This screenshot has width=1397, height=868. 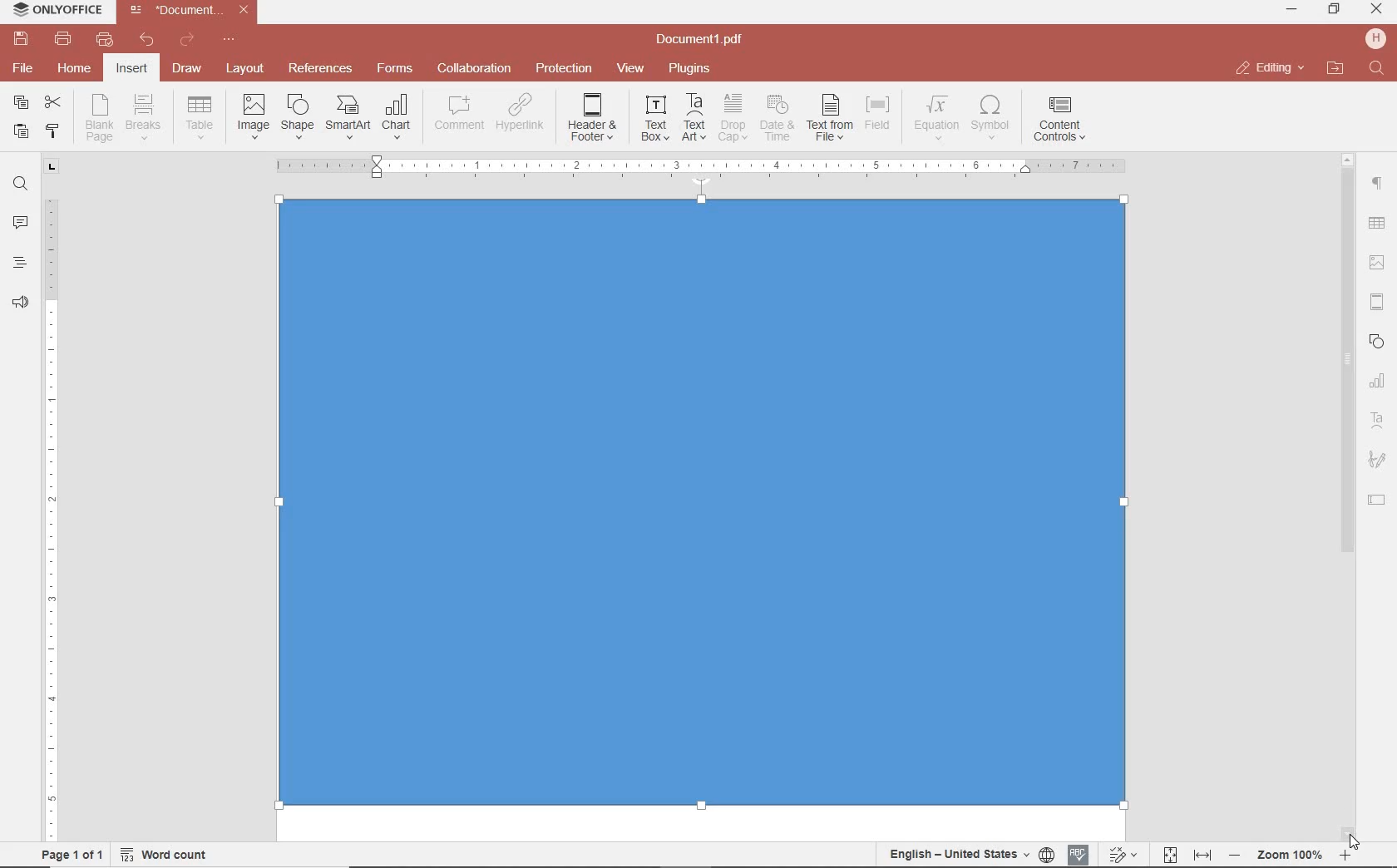 What do you see at coordinates (1345, 496) in the screenshot?
I see `scrollbar` at bounding box center [1345, 496].